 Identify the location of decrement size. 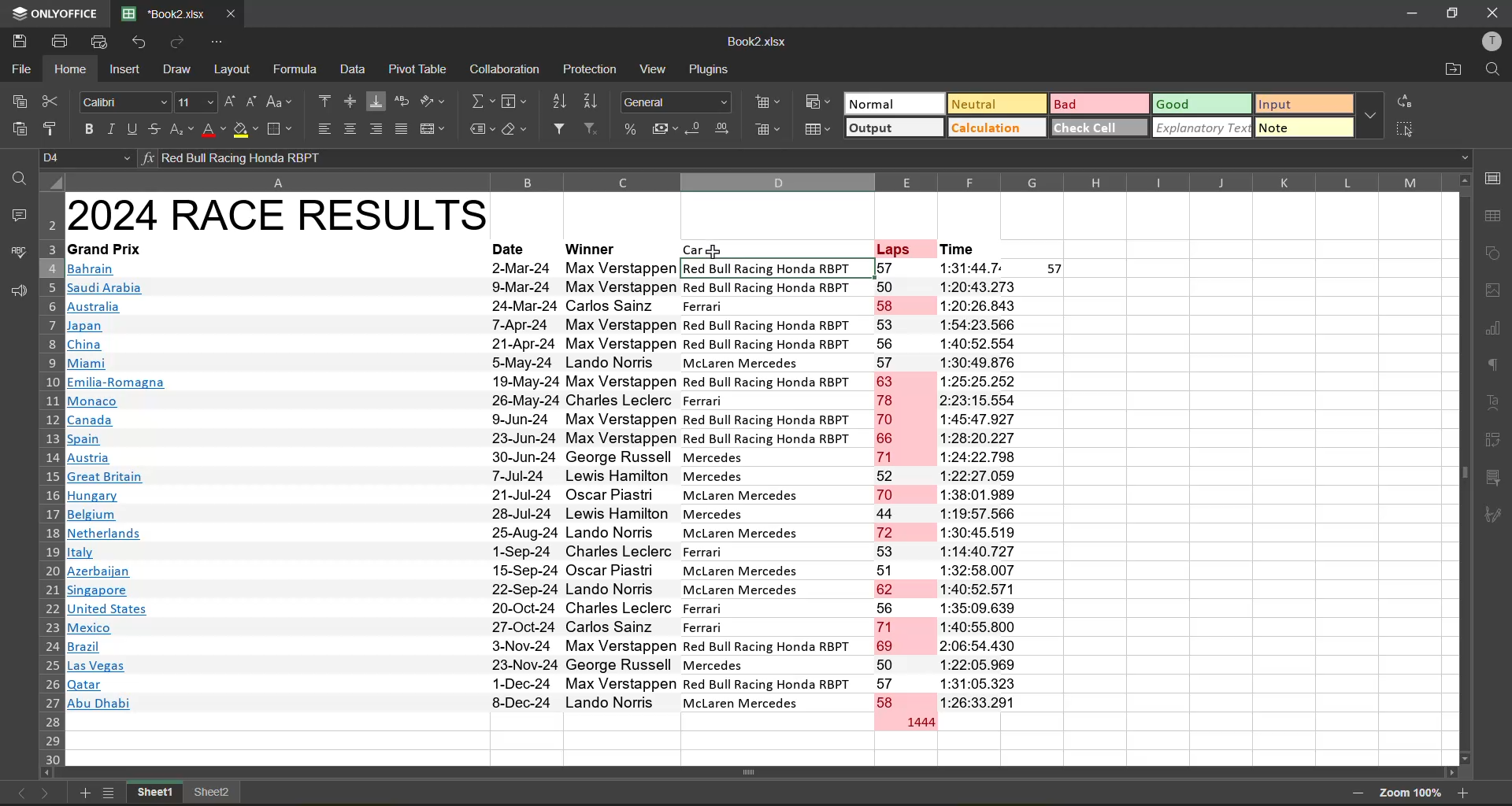
(254, 102).